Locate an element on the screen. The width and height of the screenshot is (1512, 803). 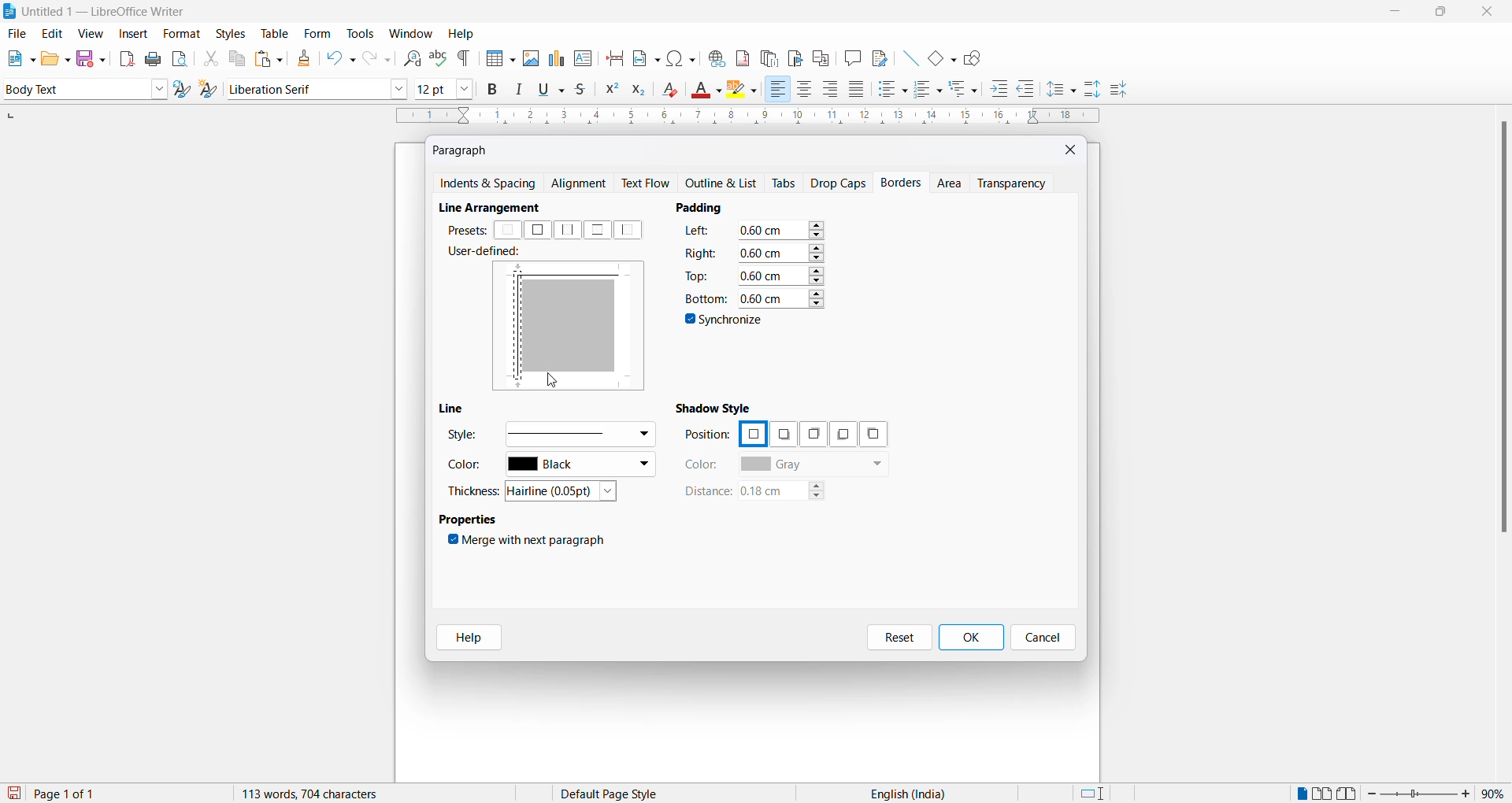
insert hyperlink is located at coordinates (714, 56).